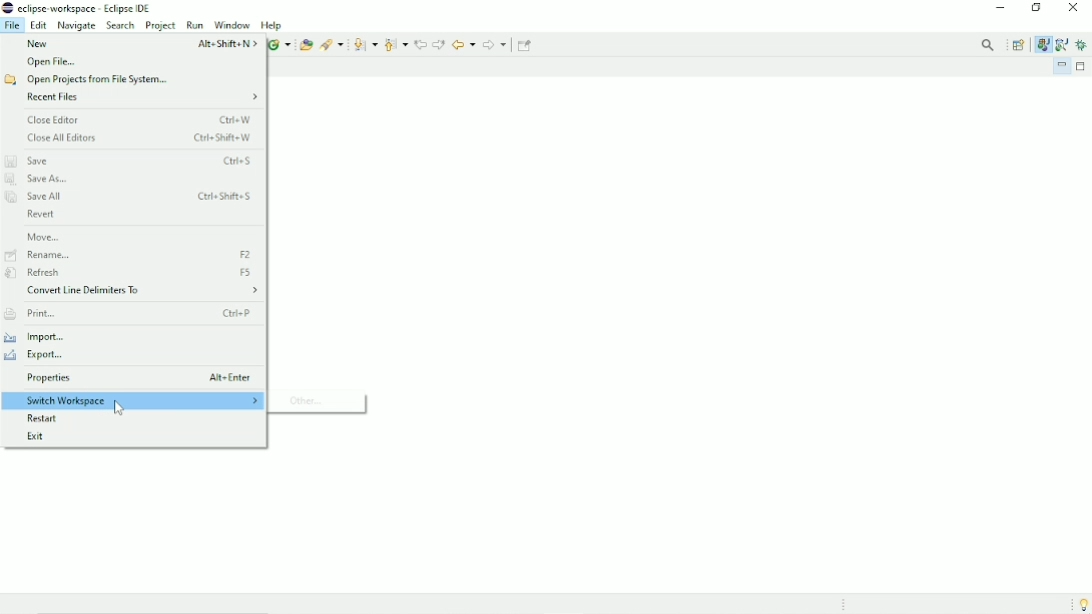 This screenshot has width=1092, height=614. Describe the element at coordinates (305, 44) in the screenshot. I see `Open type` at that location.